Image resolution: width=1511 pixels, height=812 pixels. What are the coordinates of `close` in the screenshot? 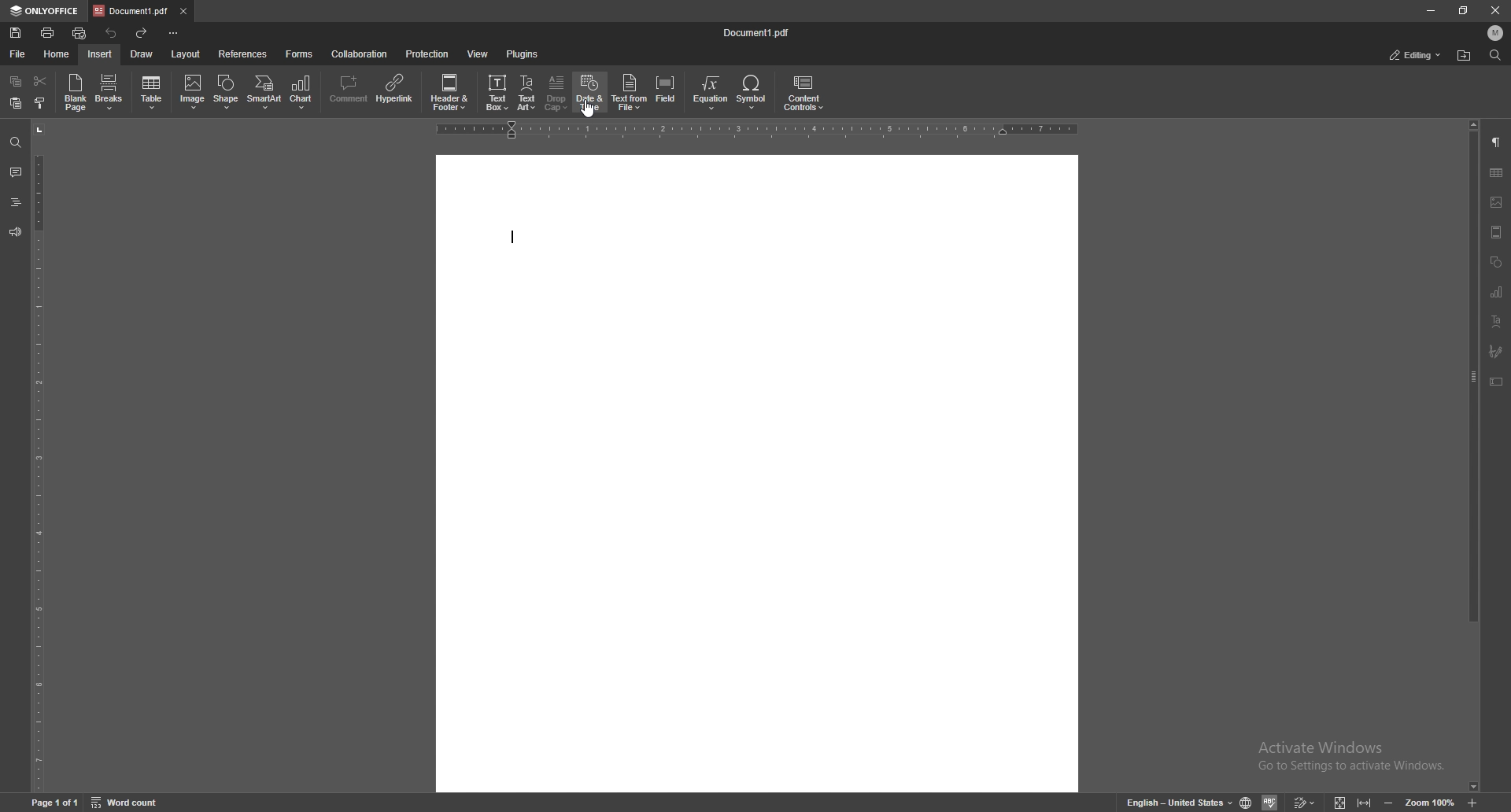 It's located at (1494, 10).